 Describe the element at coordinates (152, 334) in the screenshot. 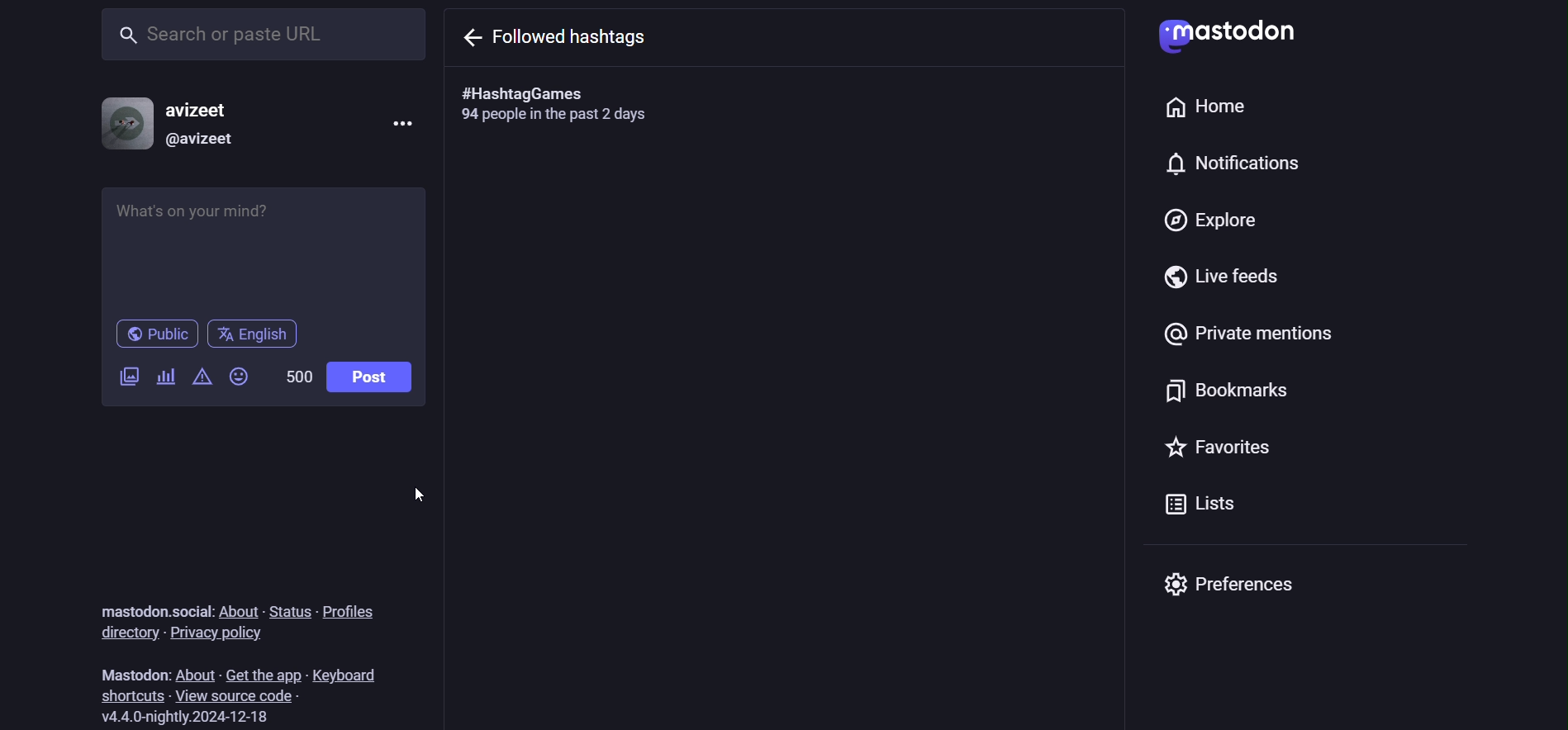

I see `public` at that location.